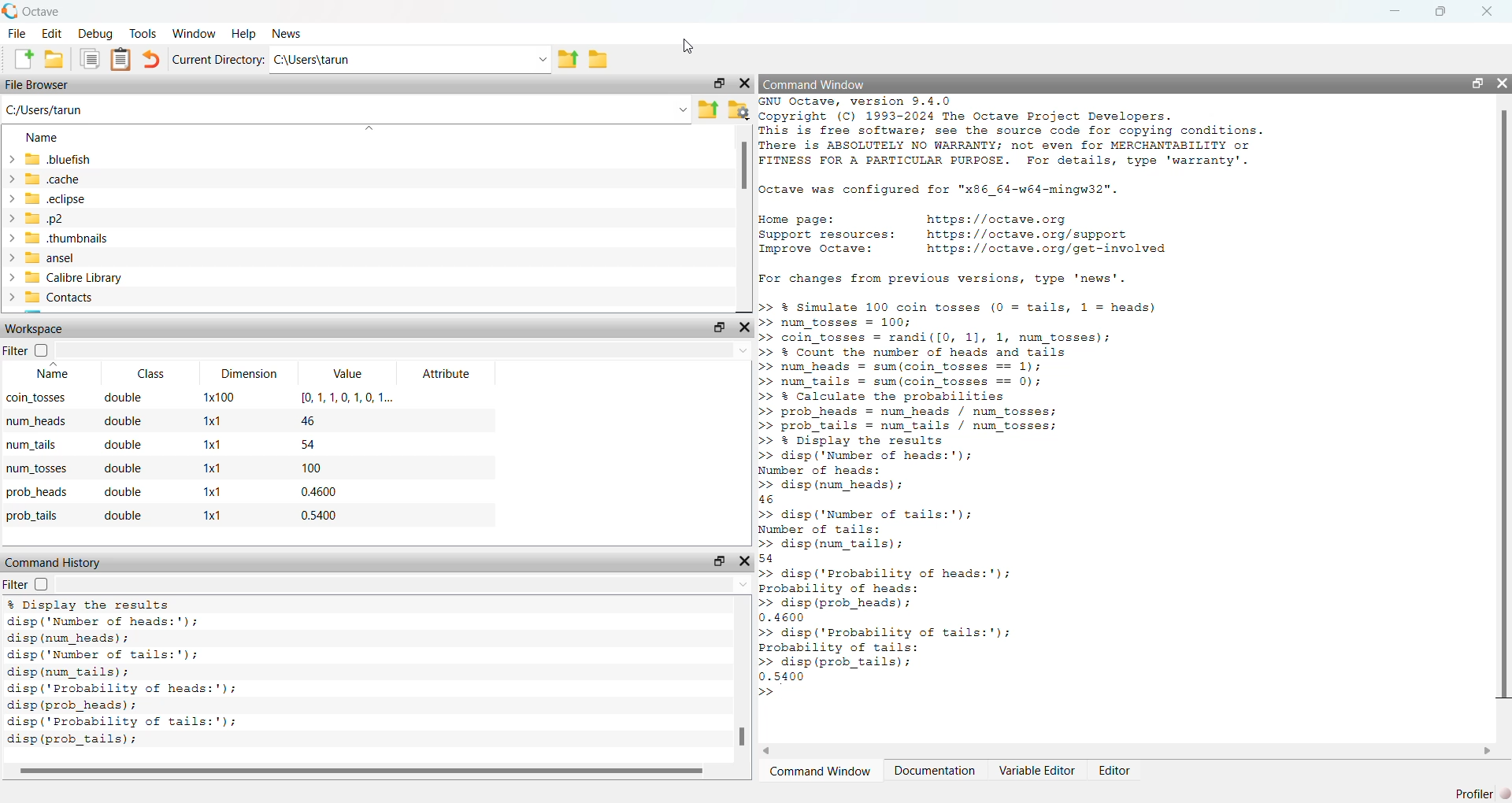 This screenshot has width=1512, height=803. What do you see at coordinates (310, 468) in the screenshot?
I see `100` at bounding box center [310, 468].